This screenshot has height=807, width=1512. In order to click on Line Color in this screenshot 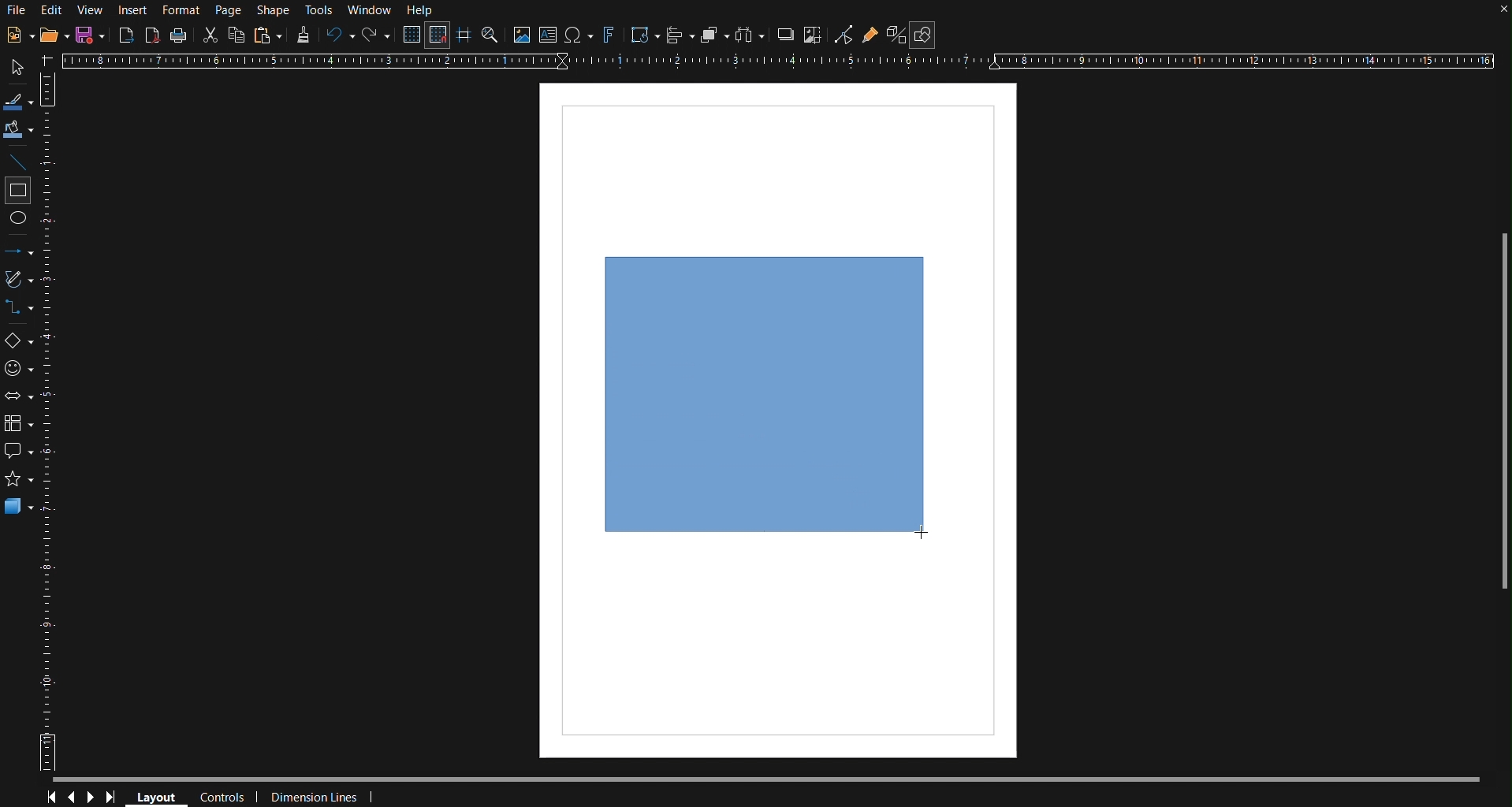, I will do `click(19, 99)`.